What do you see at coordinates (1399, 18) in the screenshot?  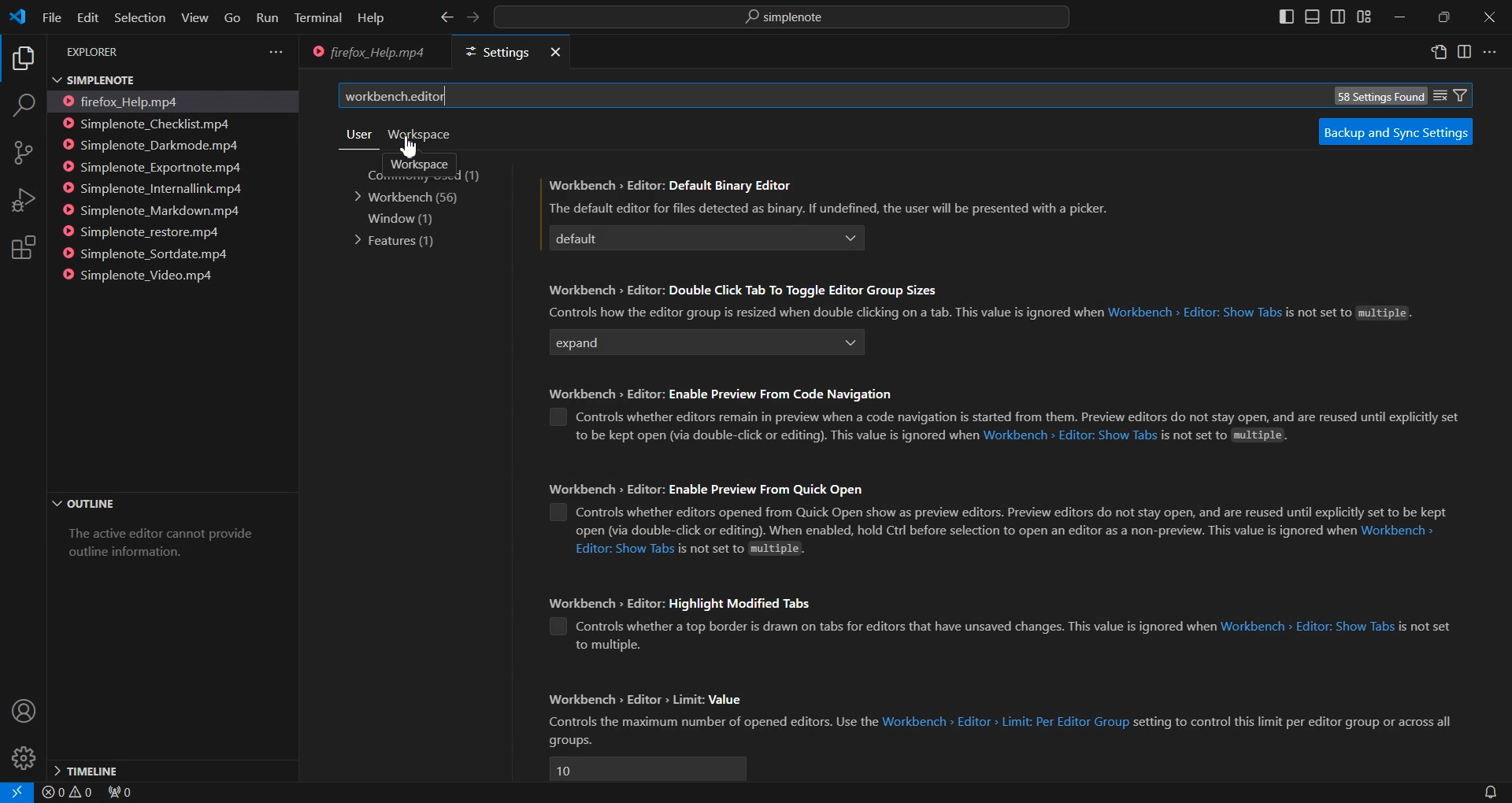 I see `Minimize` at bounding box center [1399, 18].